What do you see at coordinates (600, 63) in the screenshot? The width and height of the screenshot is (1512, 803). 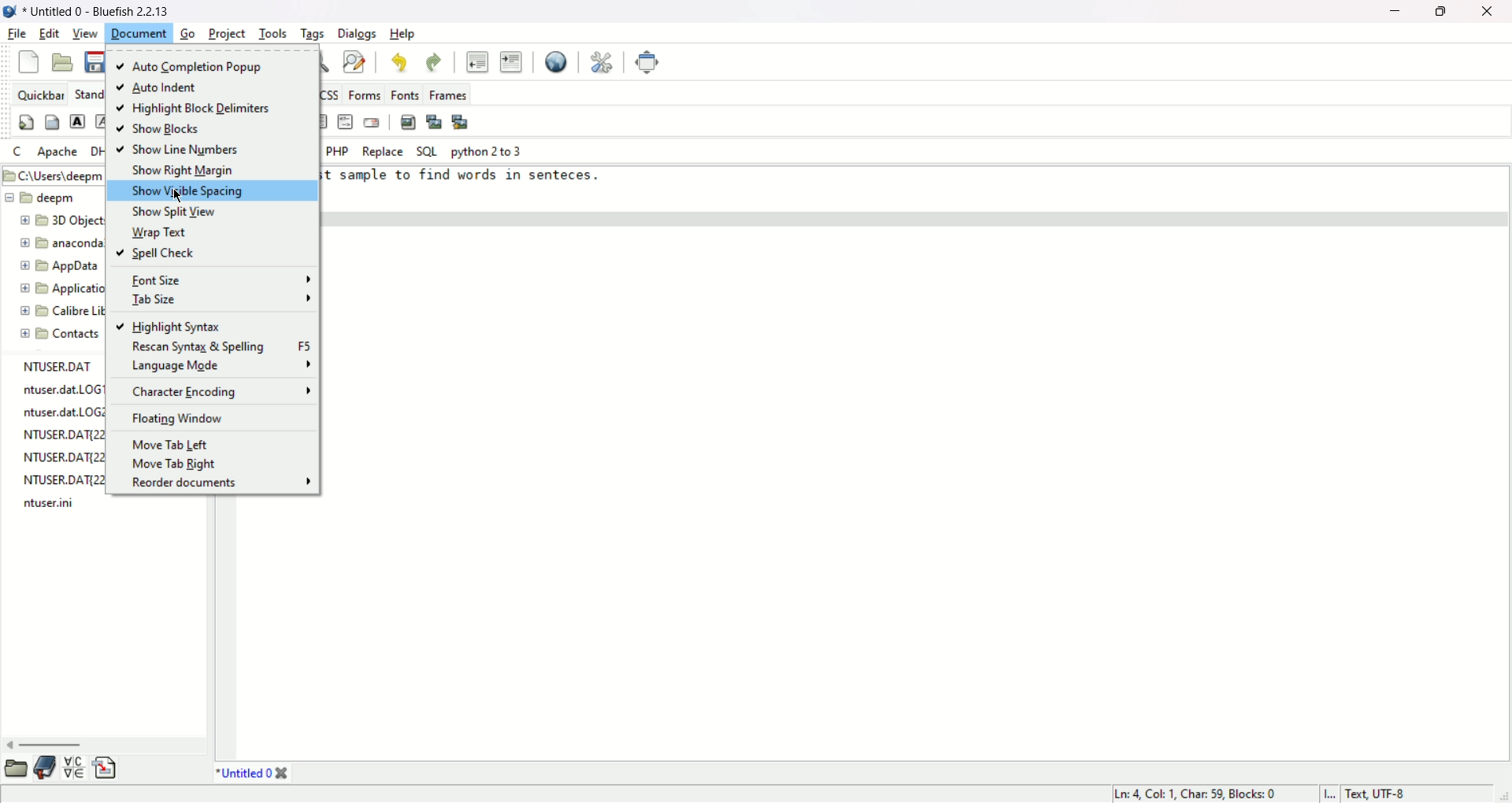 I see `preferences` at bounding box center [600, 63].